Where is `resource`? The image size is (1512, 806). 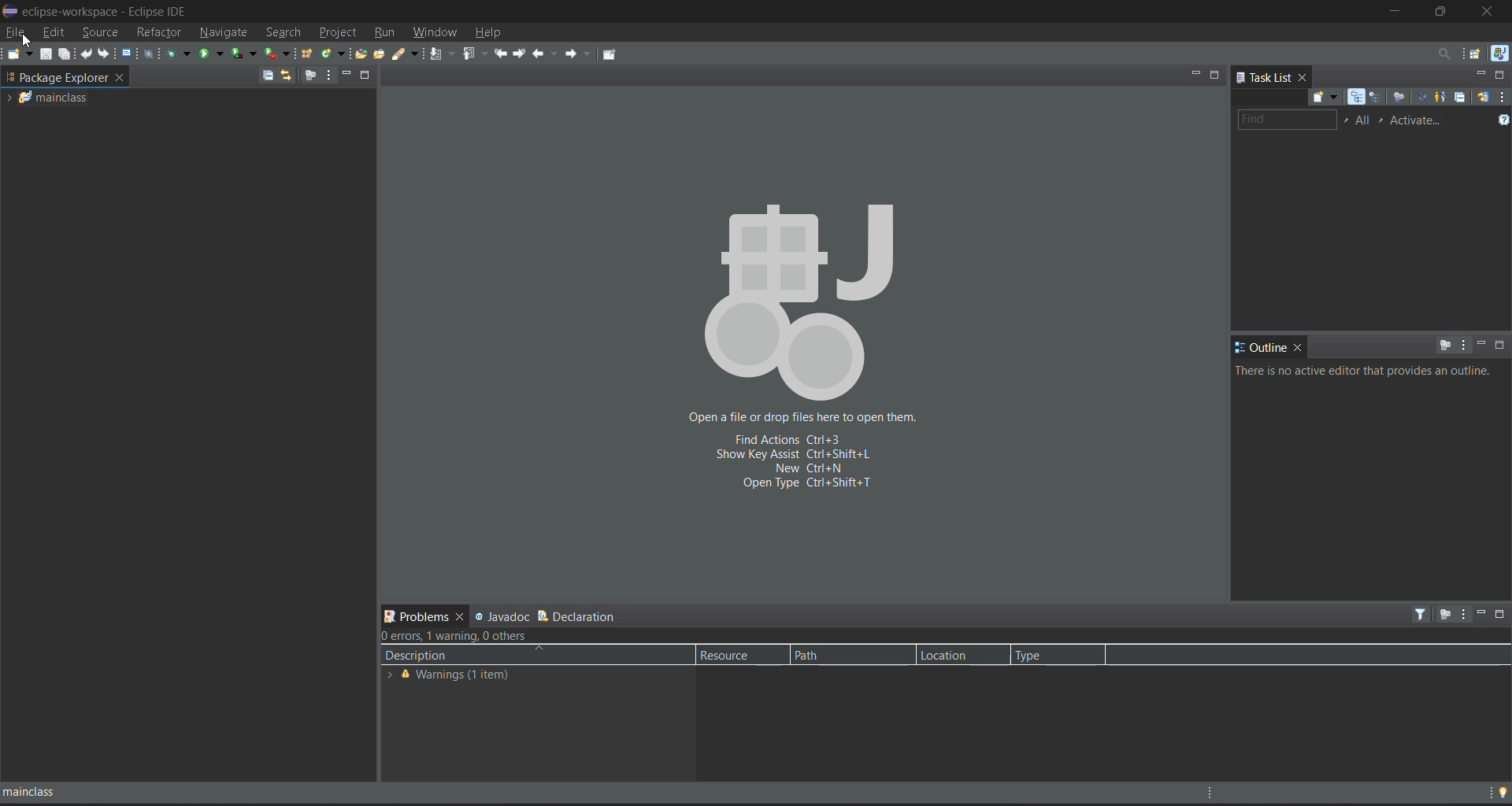
resource is located at coordinates (738, 656).